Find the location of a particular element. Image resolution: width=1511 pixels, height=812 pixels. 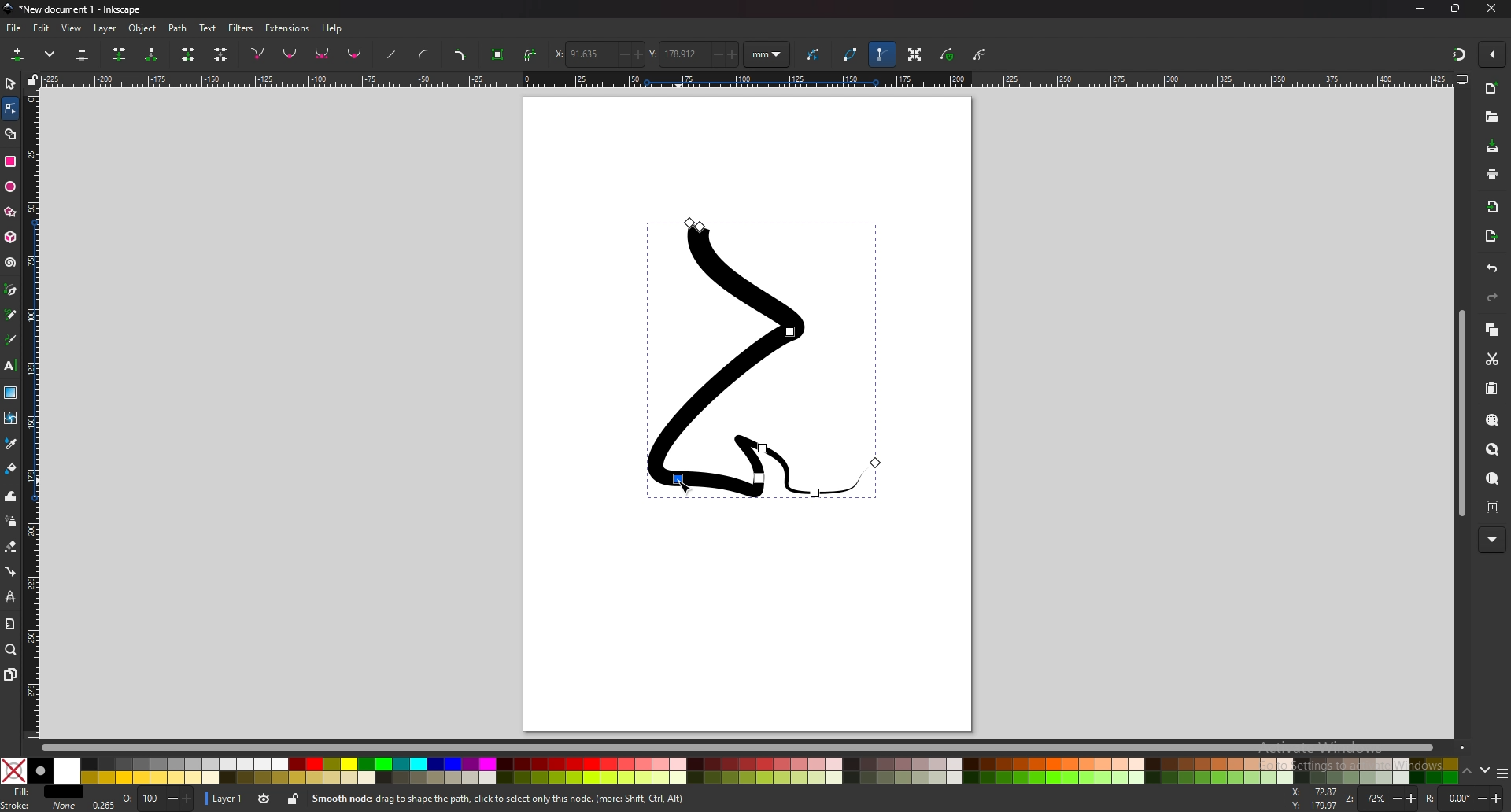

object to path is located at coordinates (498, 55).